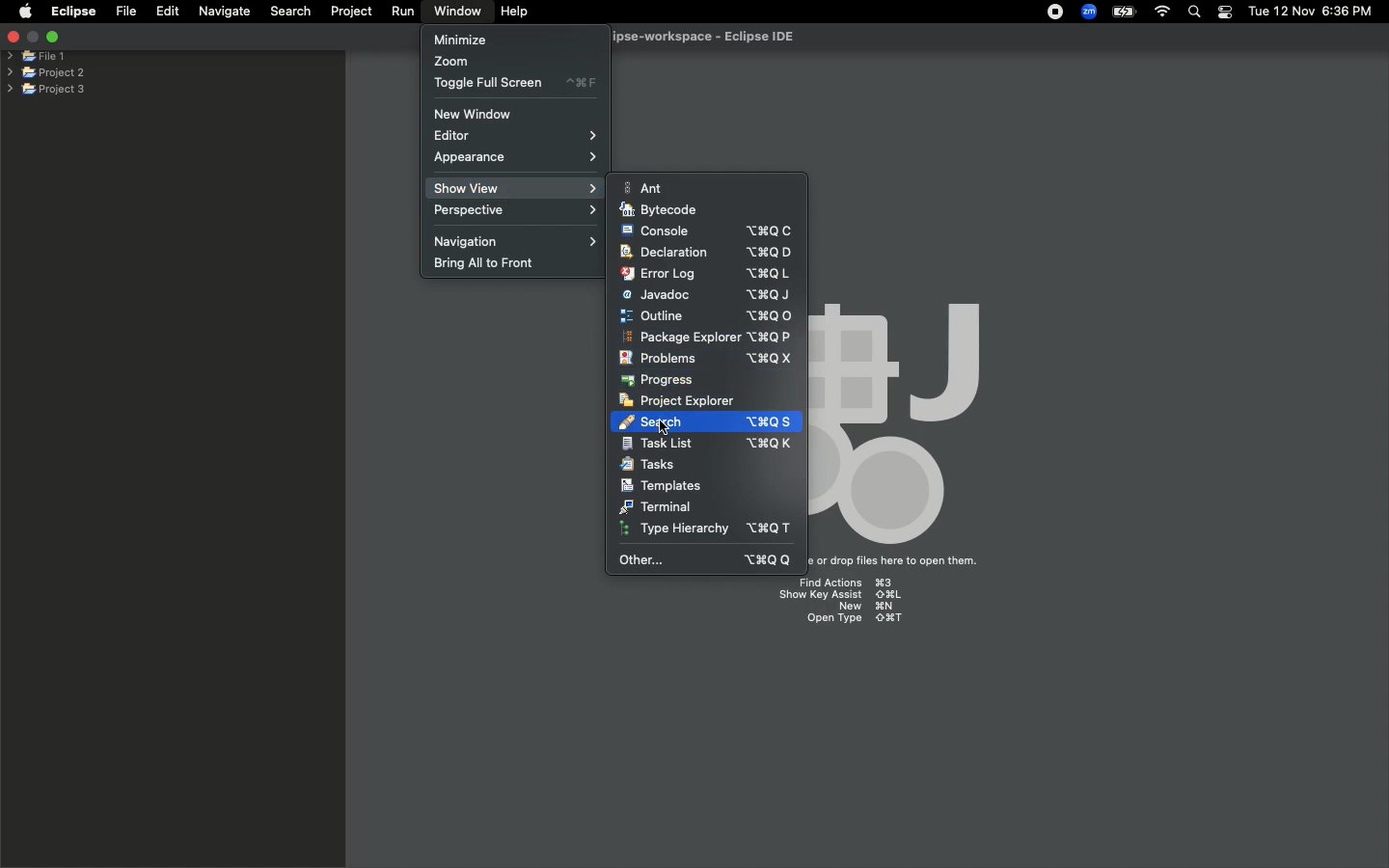 The height and width of the screenshot is (868, 1389). Describe the element at coordinates (708, 559) in the screenshot. I see `Other` at that location.